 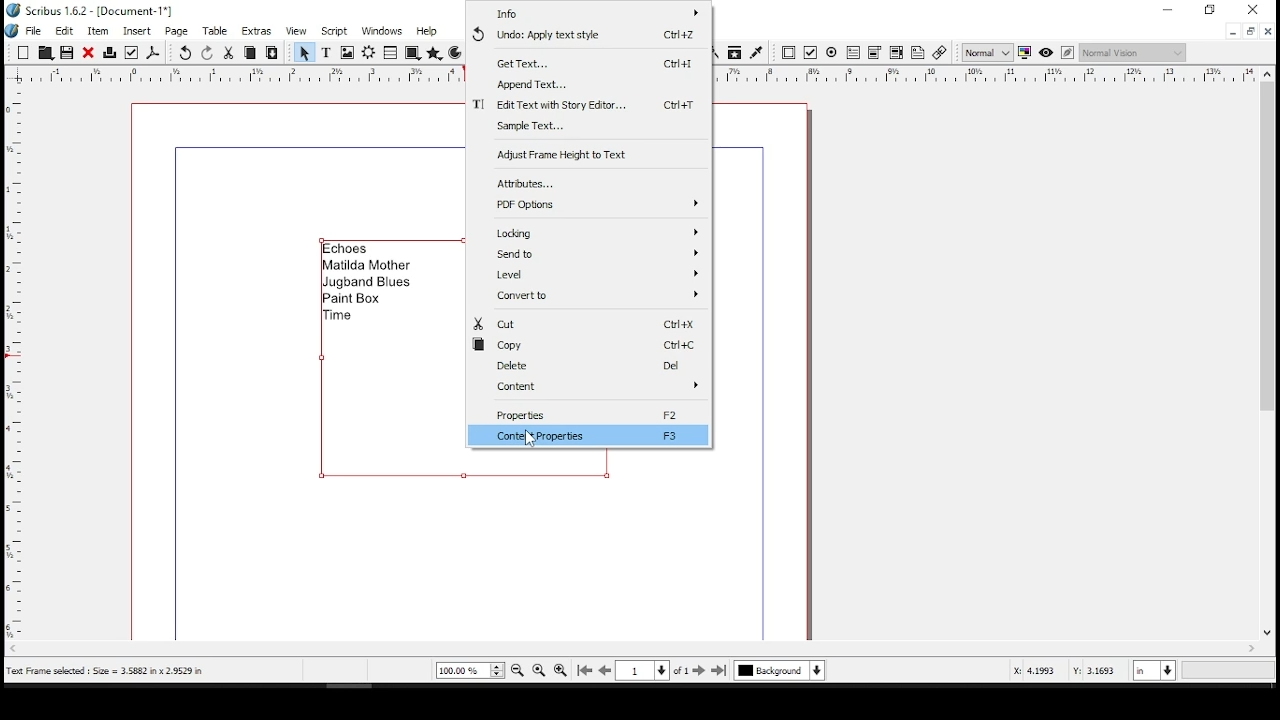 I want to click on file, so click(x=36, y=30).